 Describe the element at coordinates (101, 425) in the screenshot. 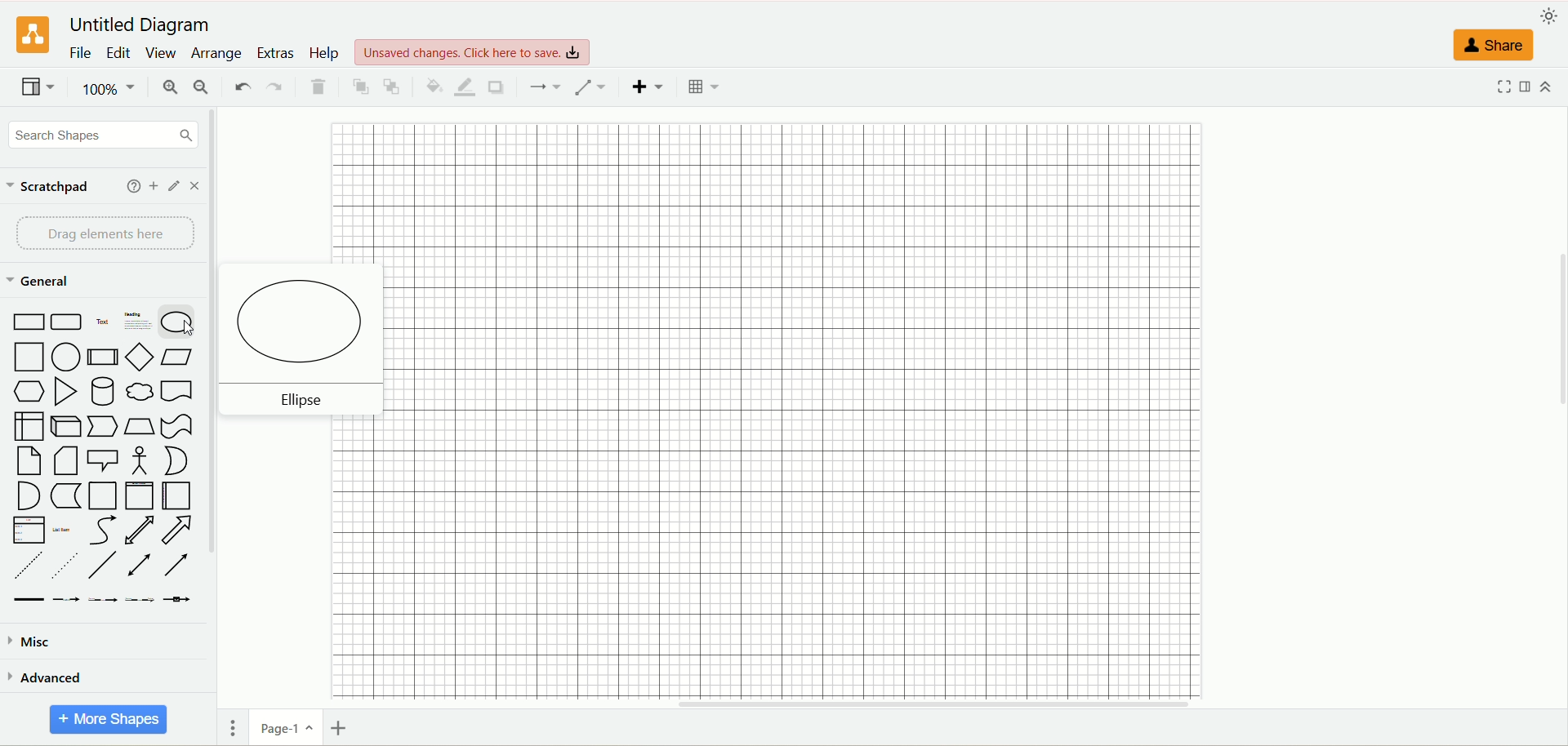

I see `step` at that location.